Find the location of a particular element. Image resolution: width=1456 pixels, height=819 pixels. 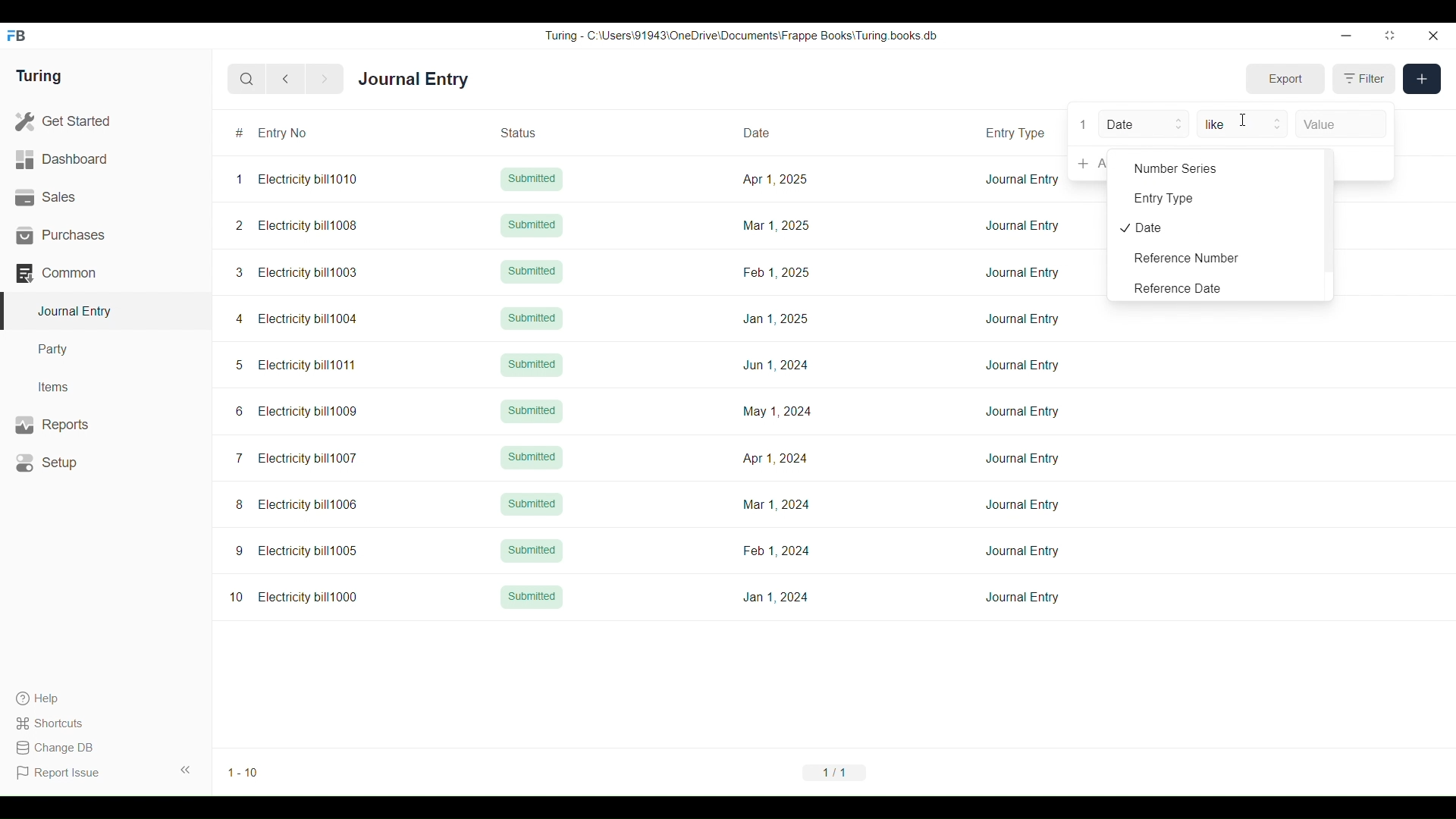

Mar 1, 2025 is located at coordinates (774, 225).